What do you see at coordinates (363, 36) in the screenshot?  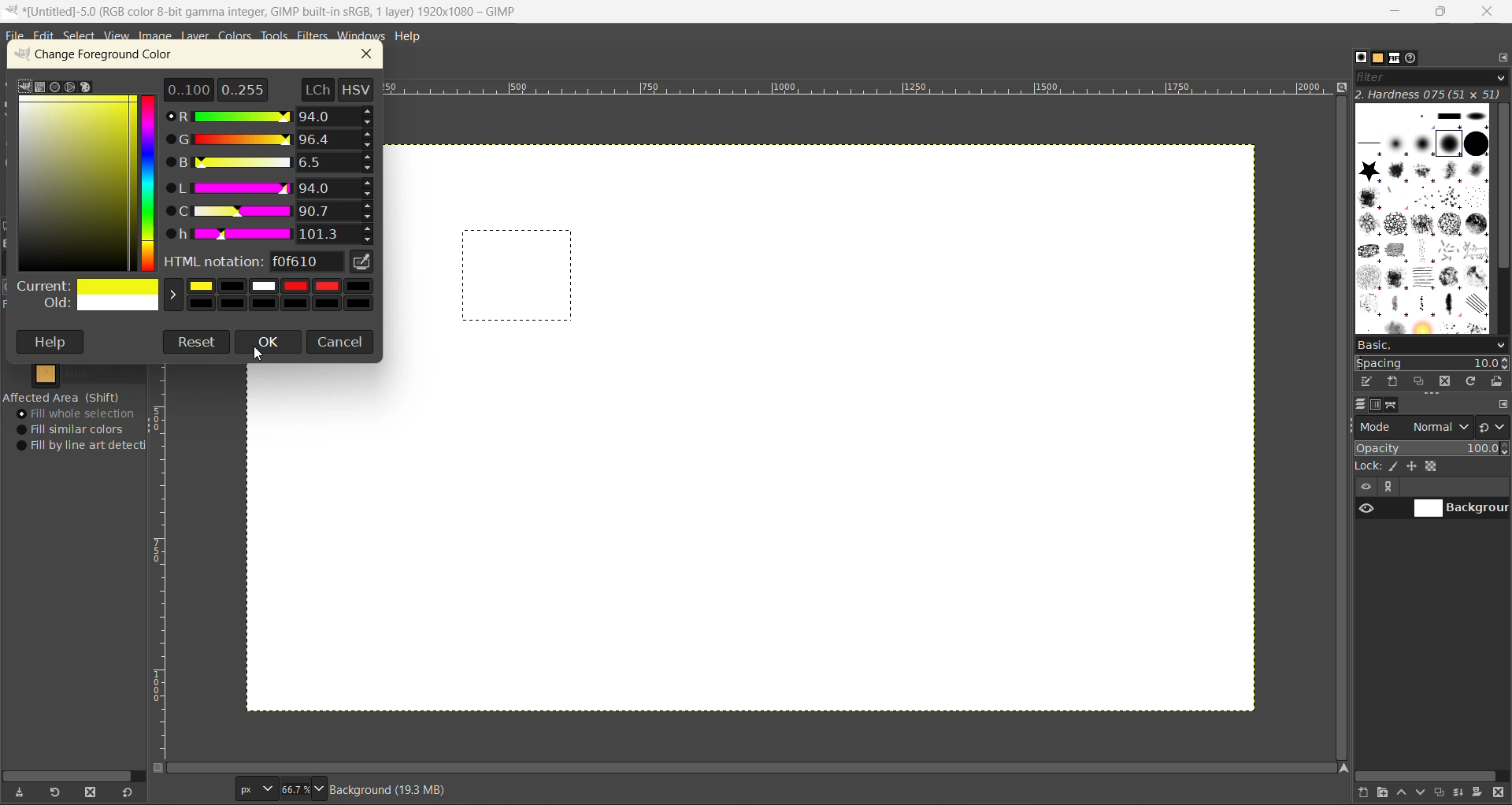 I see `windows` at bounding box center [363, 36].